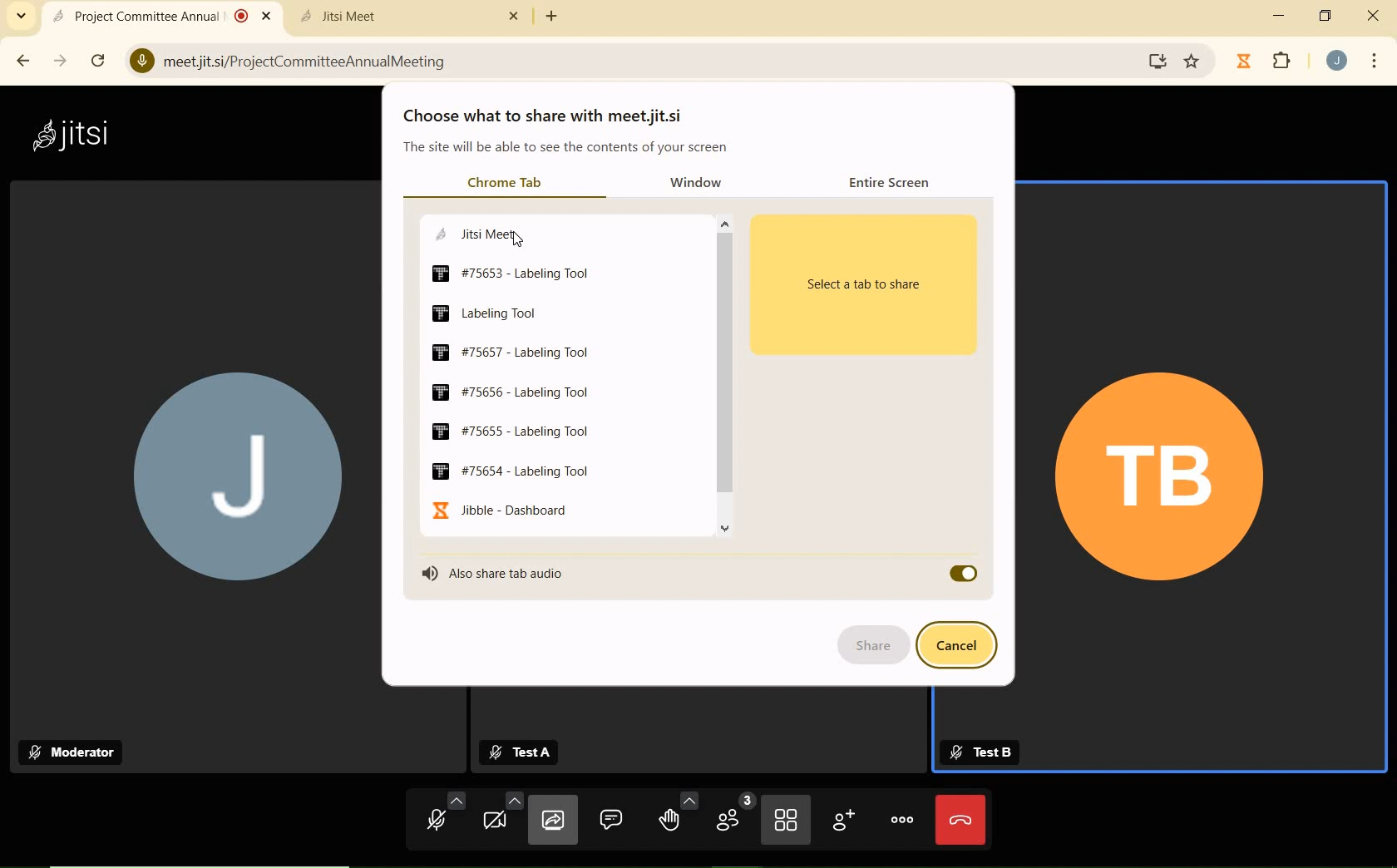  What do you see at coordinates (62, 62) in the screenshot?
I see `forward` at bounding box center [62, 62].